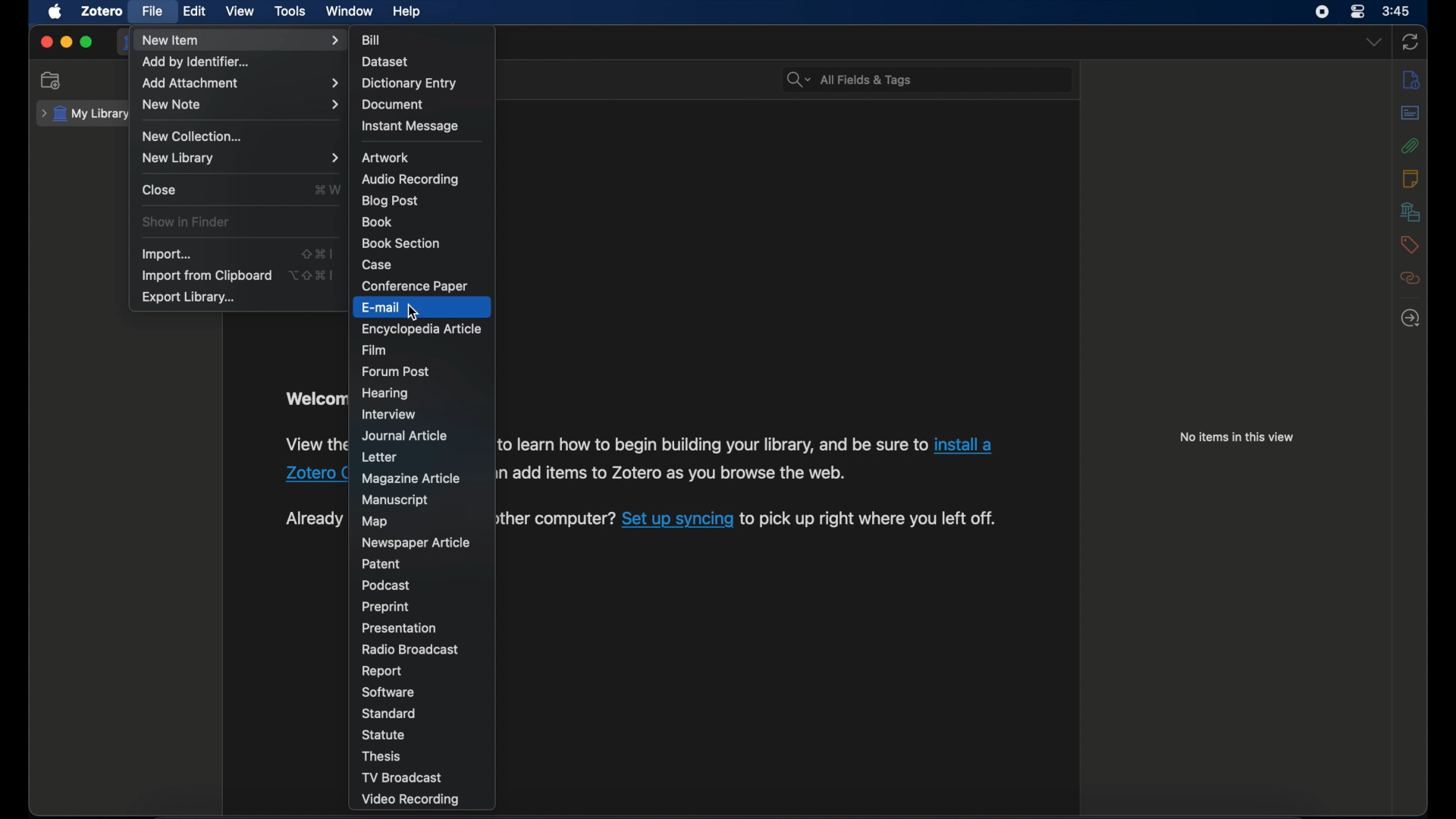  I want to click on audio recording, so click(413, 179).